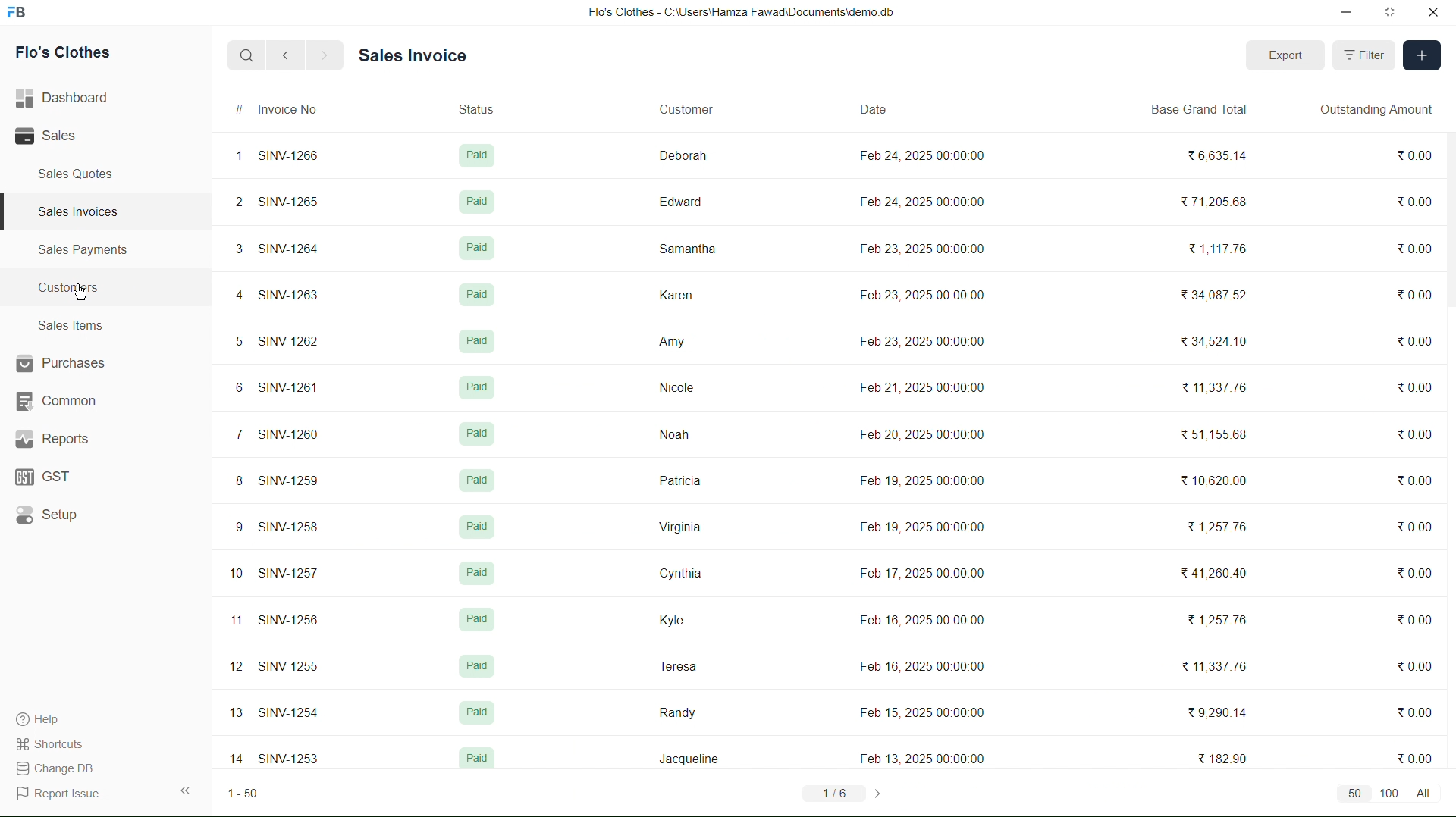 The width and height of the screenshot is (1456, 817). Describe the element at coordinates (919, 573) in the screenshot. I see `Feb 17, 2025 00:00:00` at that location.